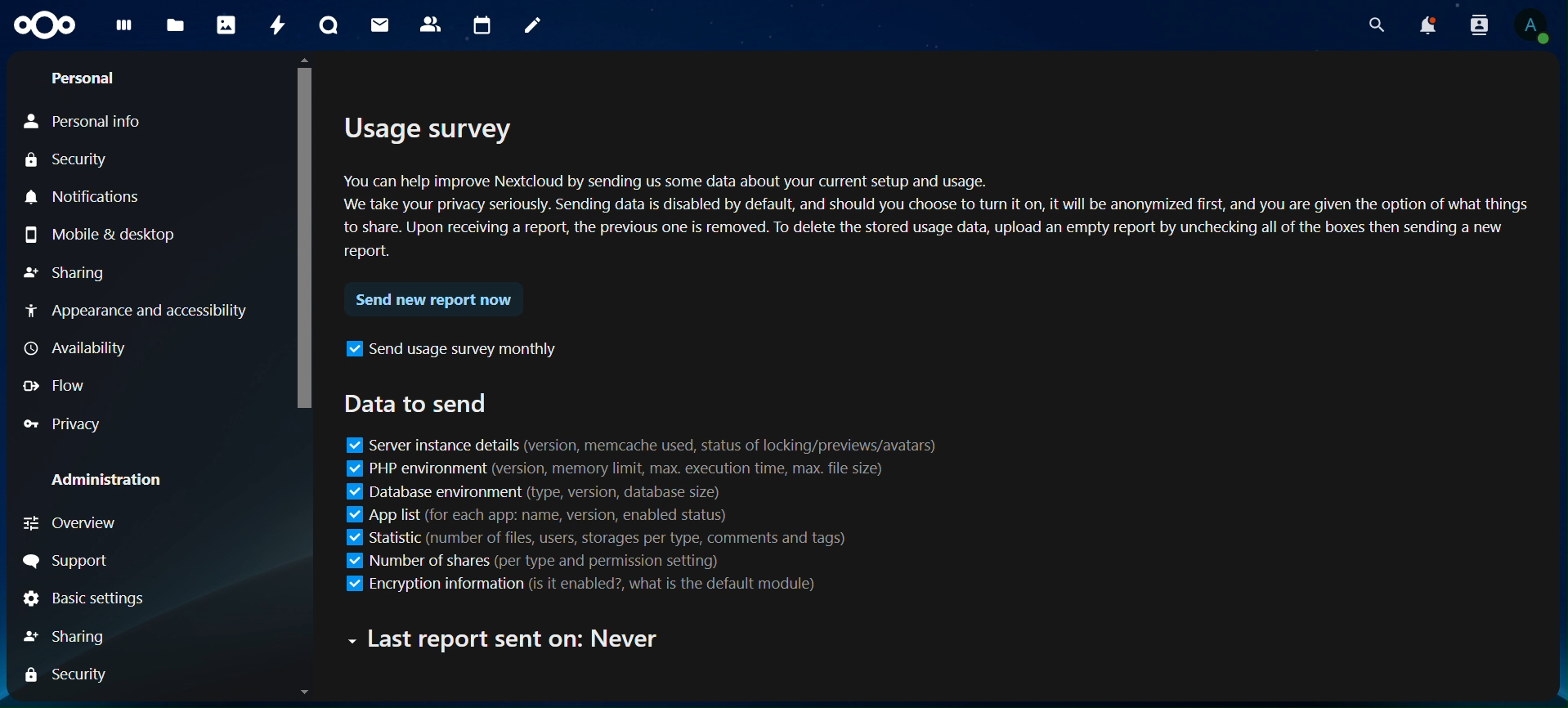  I want to click on app list, so click(540, 515).